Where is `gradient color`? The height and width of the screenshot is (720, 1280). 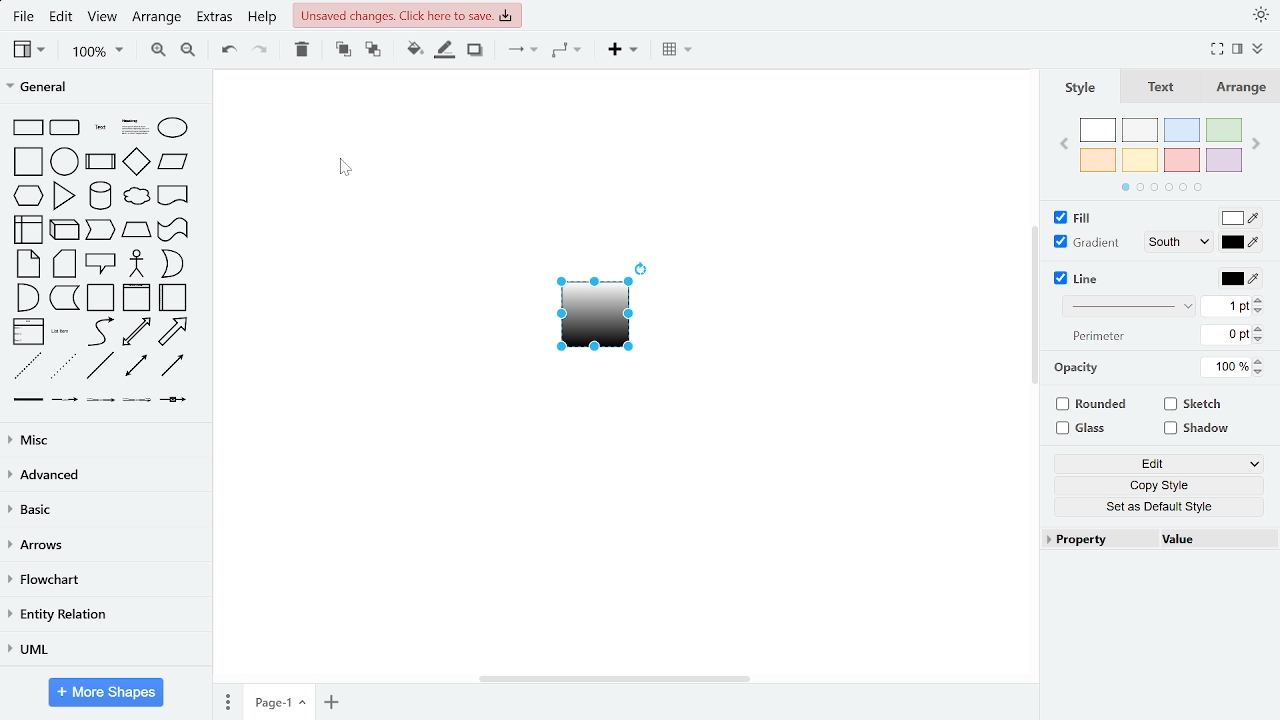 gradient color is located at coordinates (1242, 241).